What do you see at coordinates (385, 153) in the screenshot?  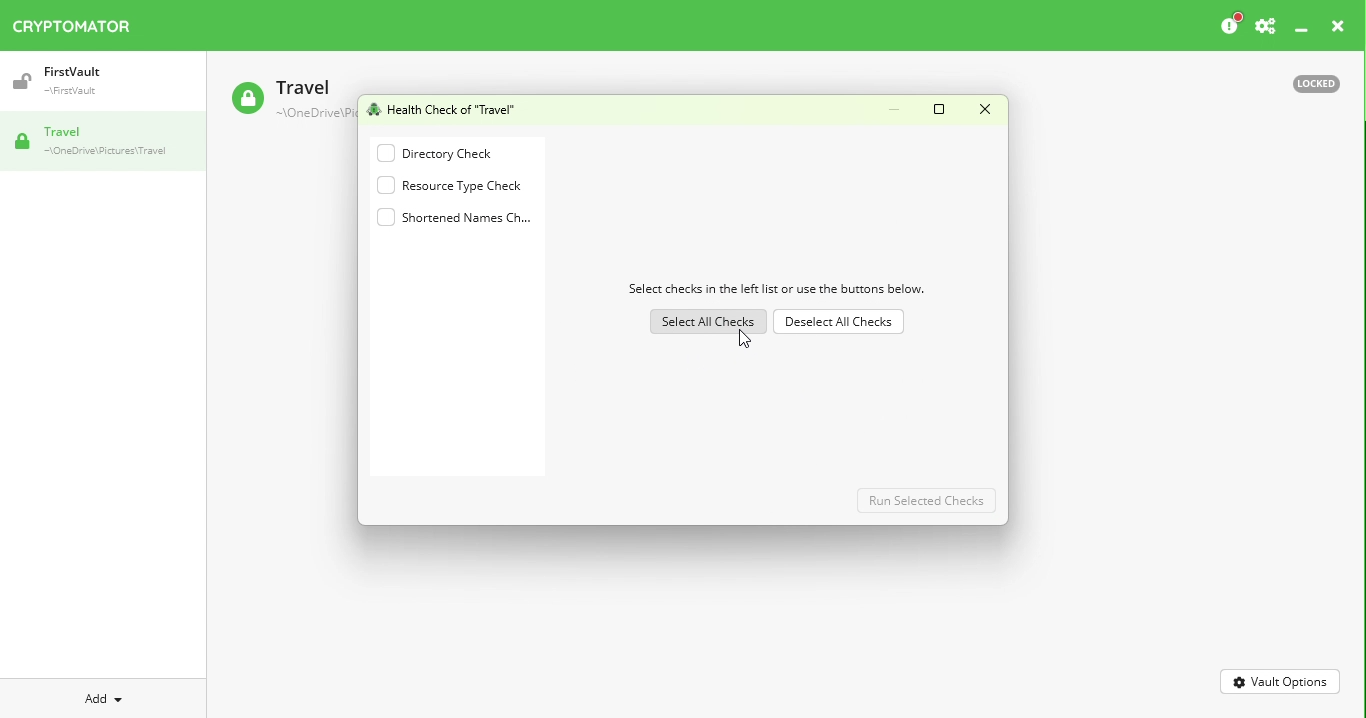 I see `unchecked checkbox` at bounding box center [385, 153].